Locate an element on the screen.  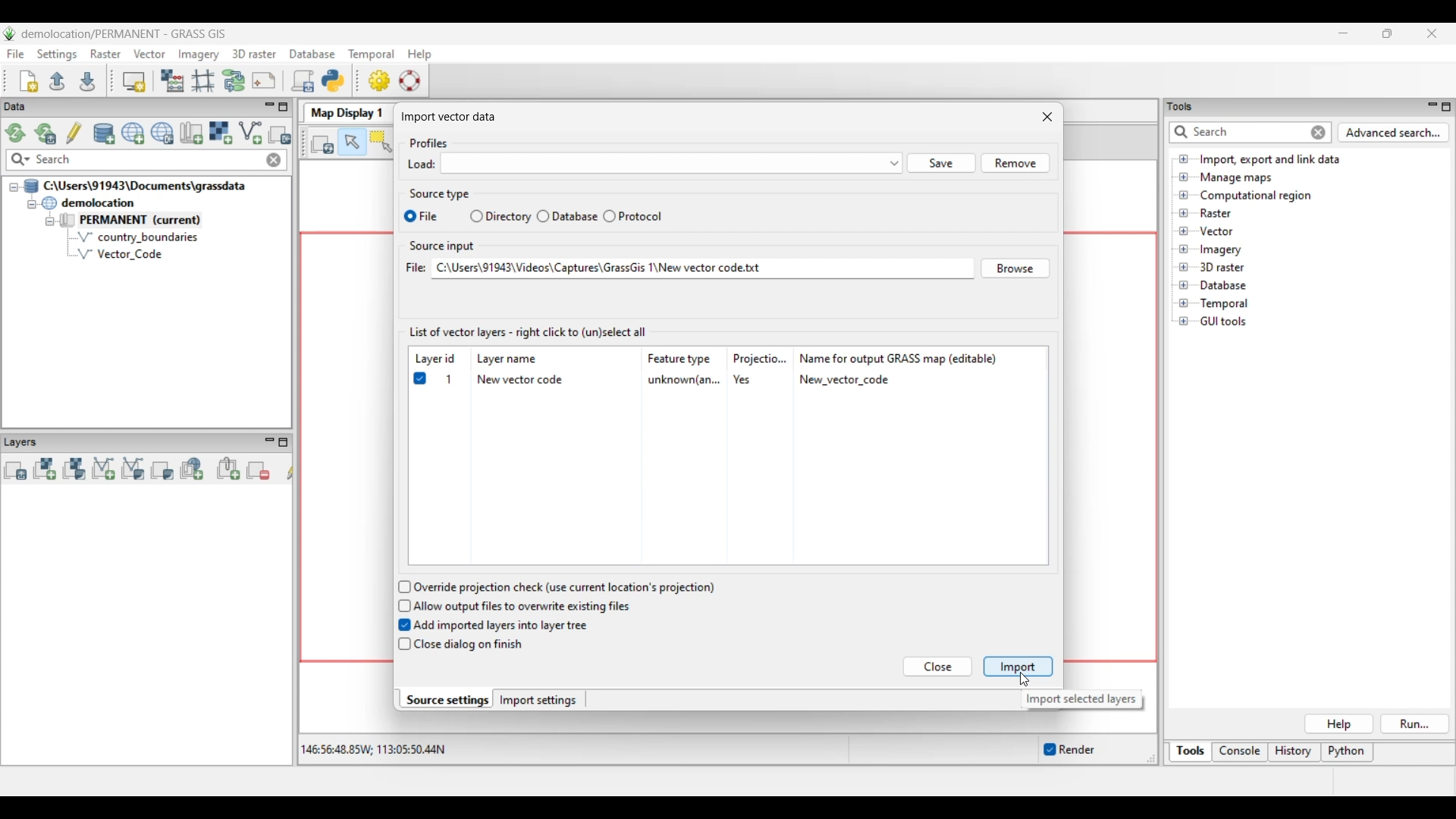
Close input made to quick search is located at coordinates (274, 160).